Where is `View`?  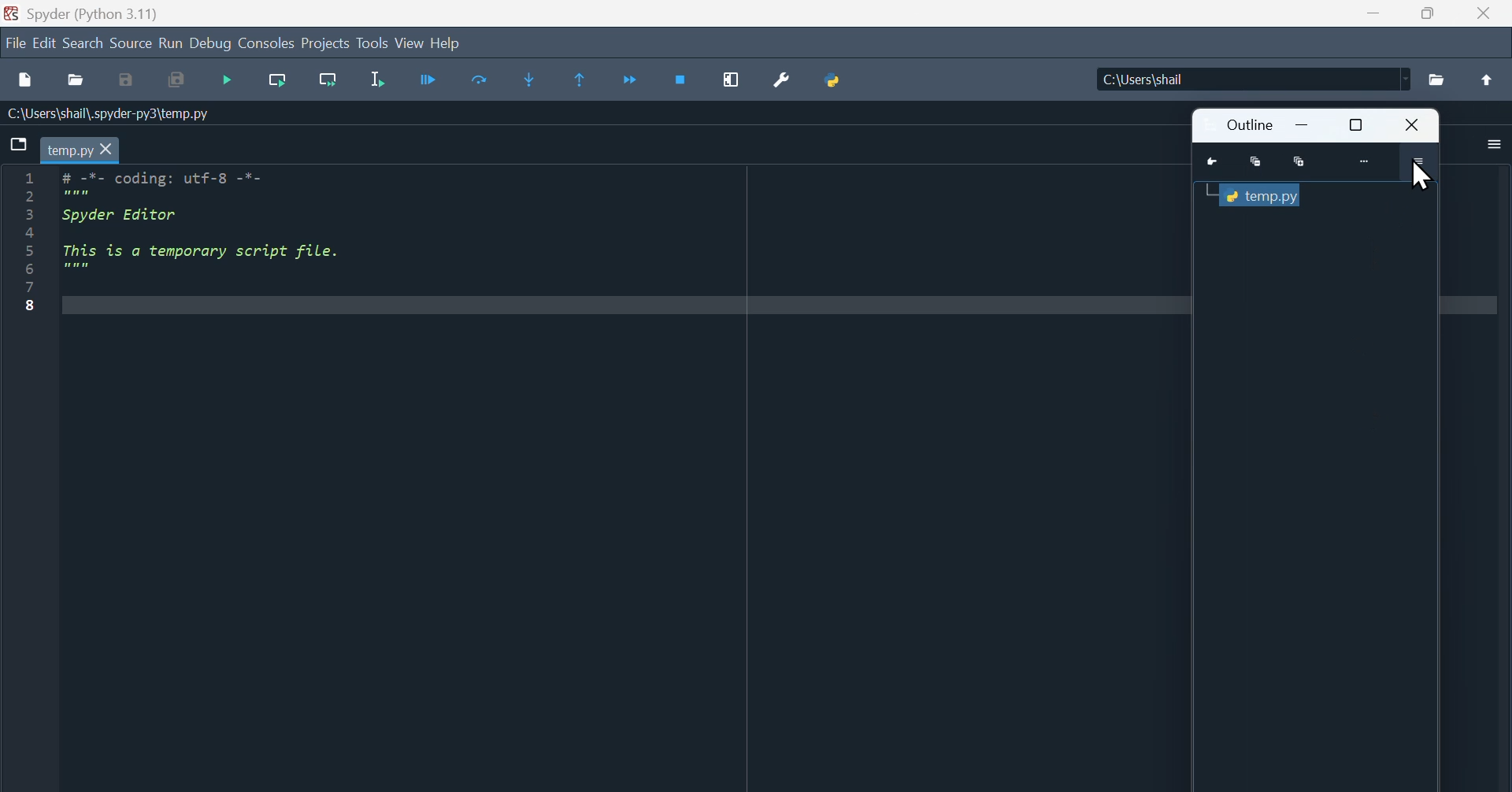
View is located at coordinates (411, 42).